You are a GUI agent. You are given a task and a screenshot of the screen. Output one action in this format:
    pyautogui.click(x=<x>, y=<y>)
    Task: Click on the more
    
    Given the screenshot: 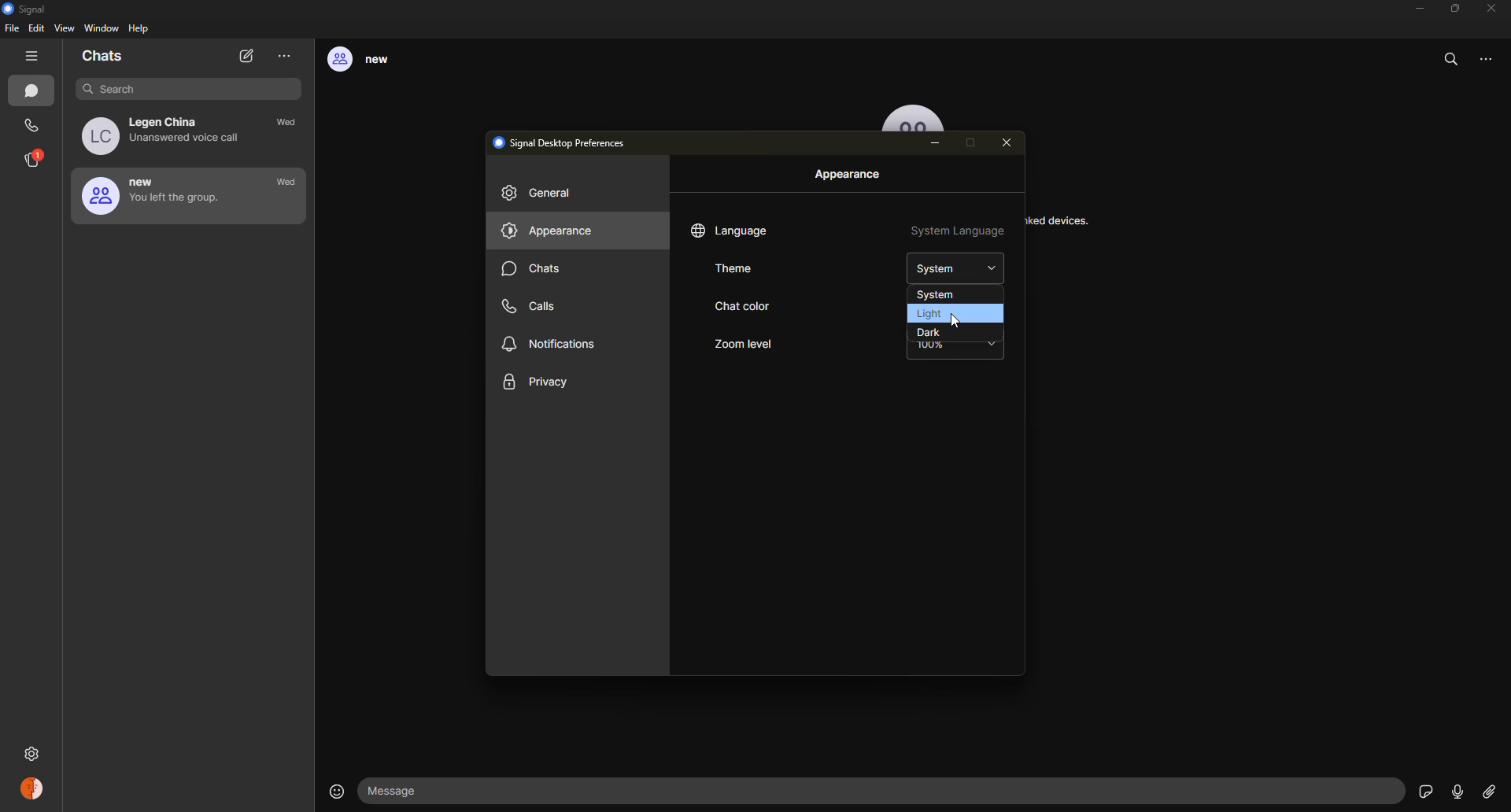 What is the action you would take?
    pyautogui.click(x=285, y=56)
    